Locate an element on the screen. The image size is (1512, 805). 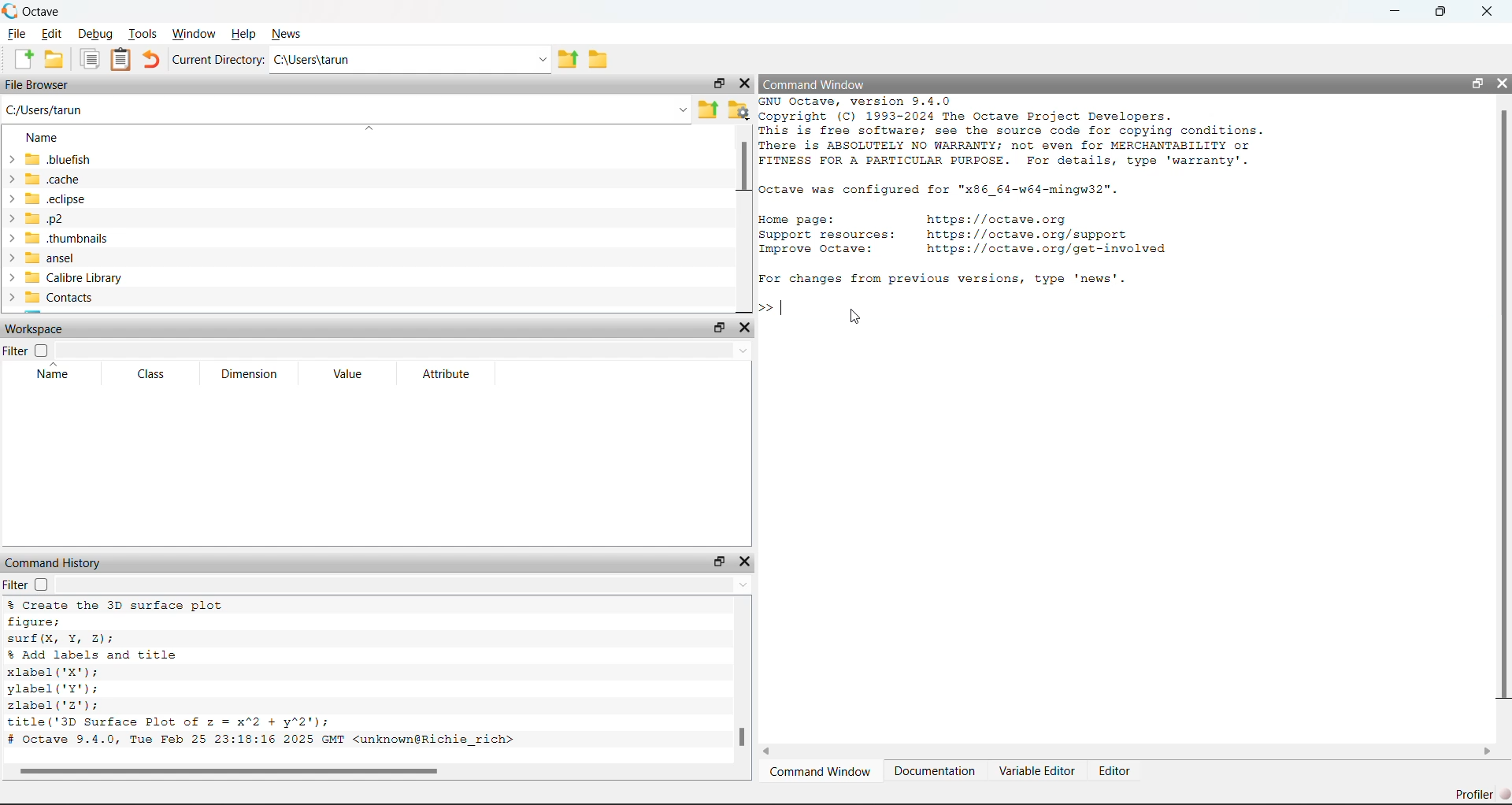
bluefish is located at coordinates (49, 161).